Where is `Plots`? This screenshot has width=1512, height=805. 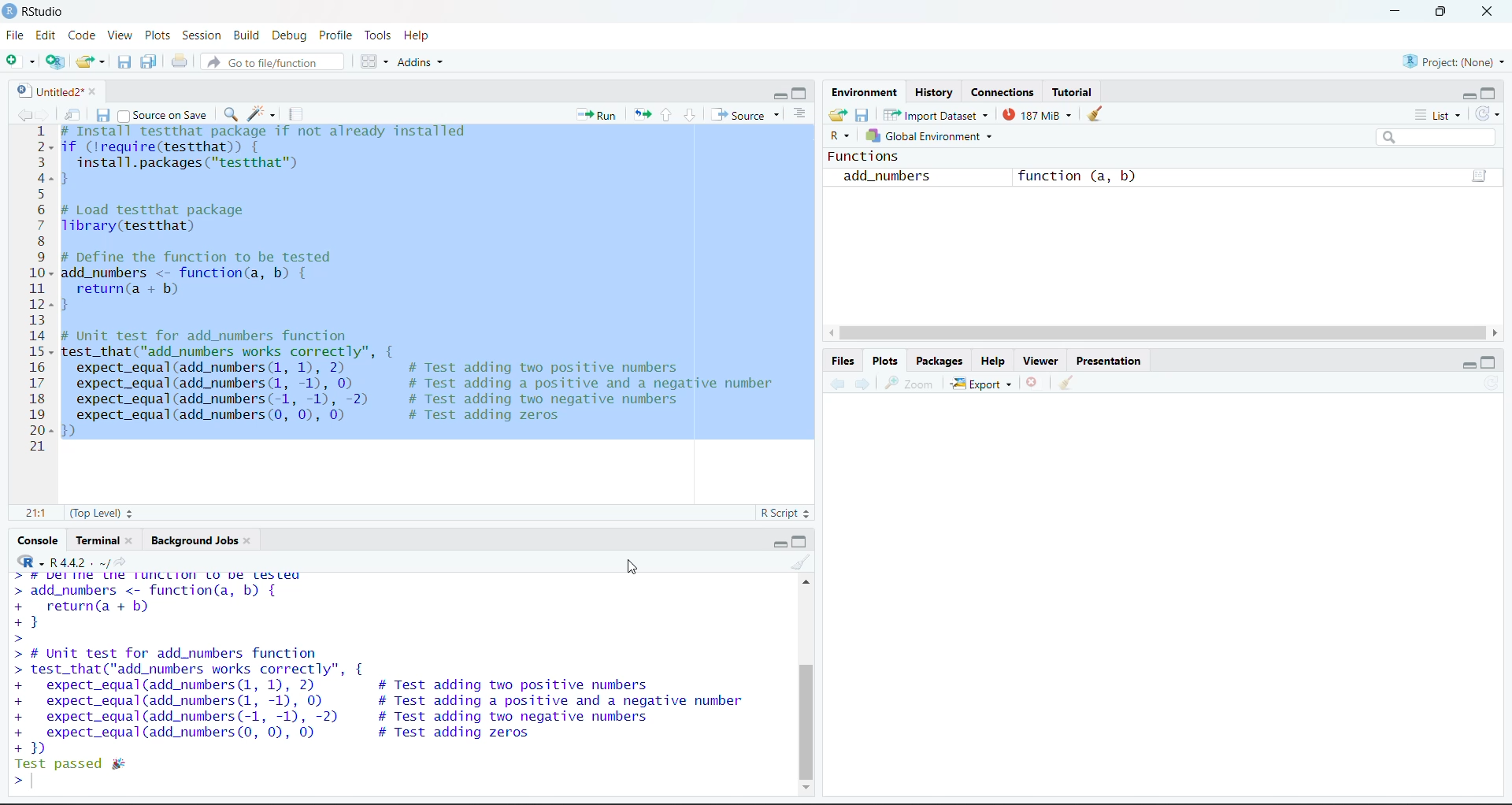
Plots is located at coordinates (159, 35).